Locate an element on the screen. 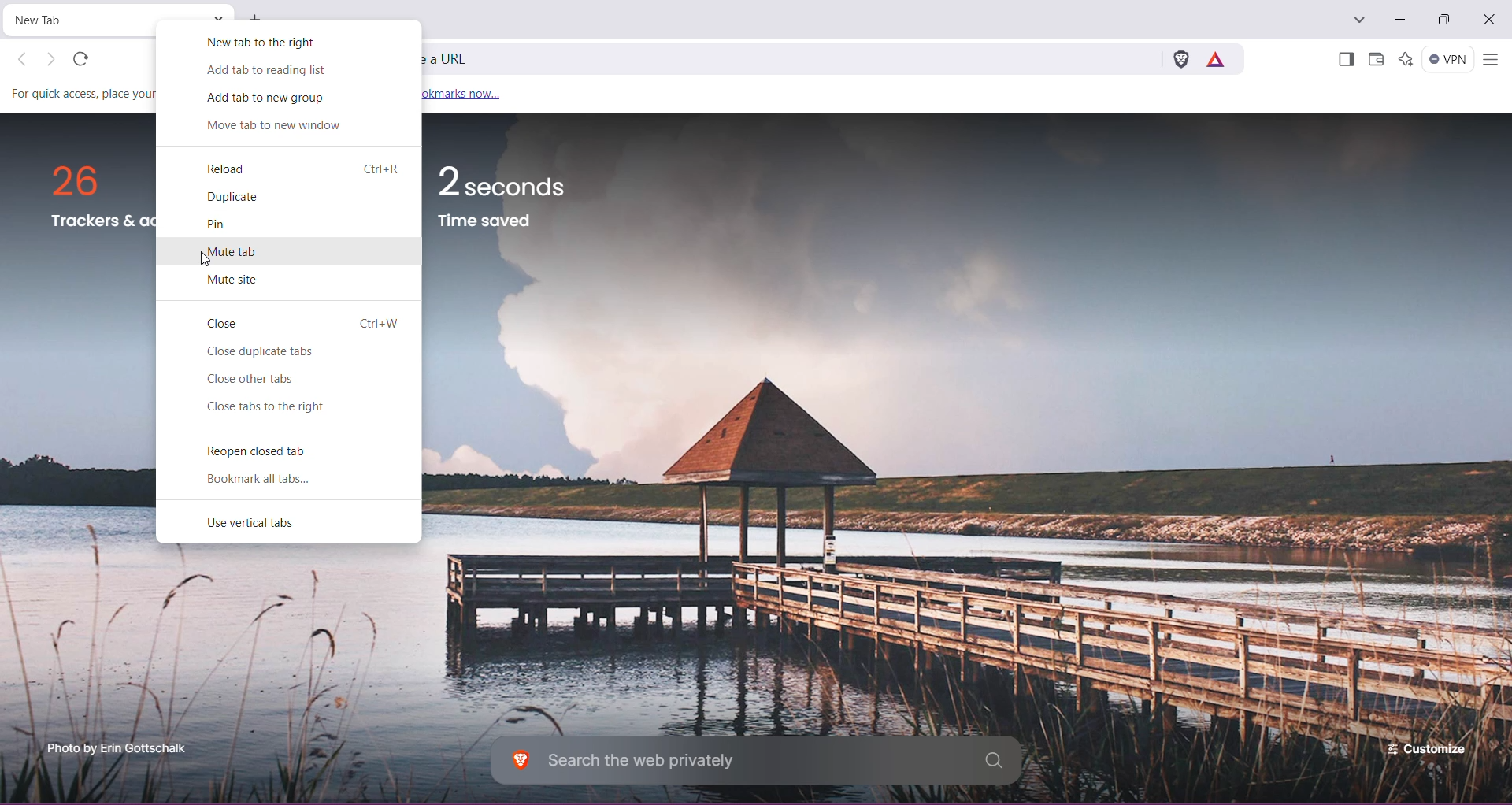 This screenshot has width=1512, height=805.  is located at coordinates (256, 380).